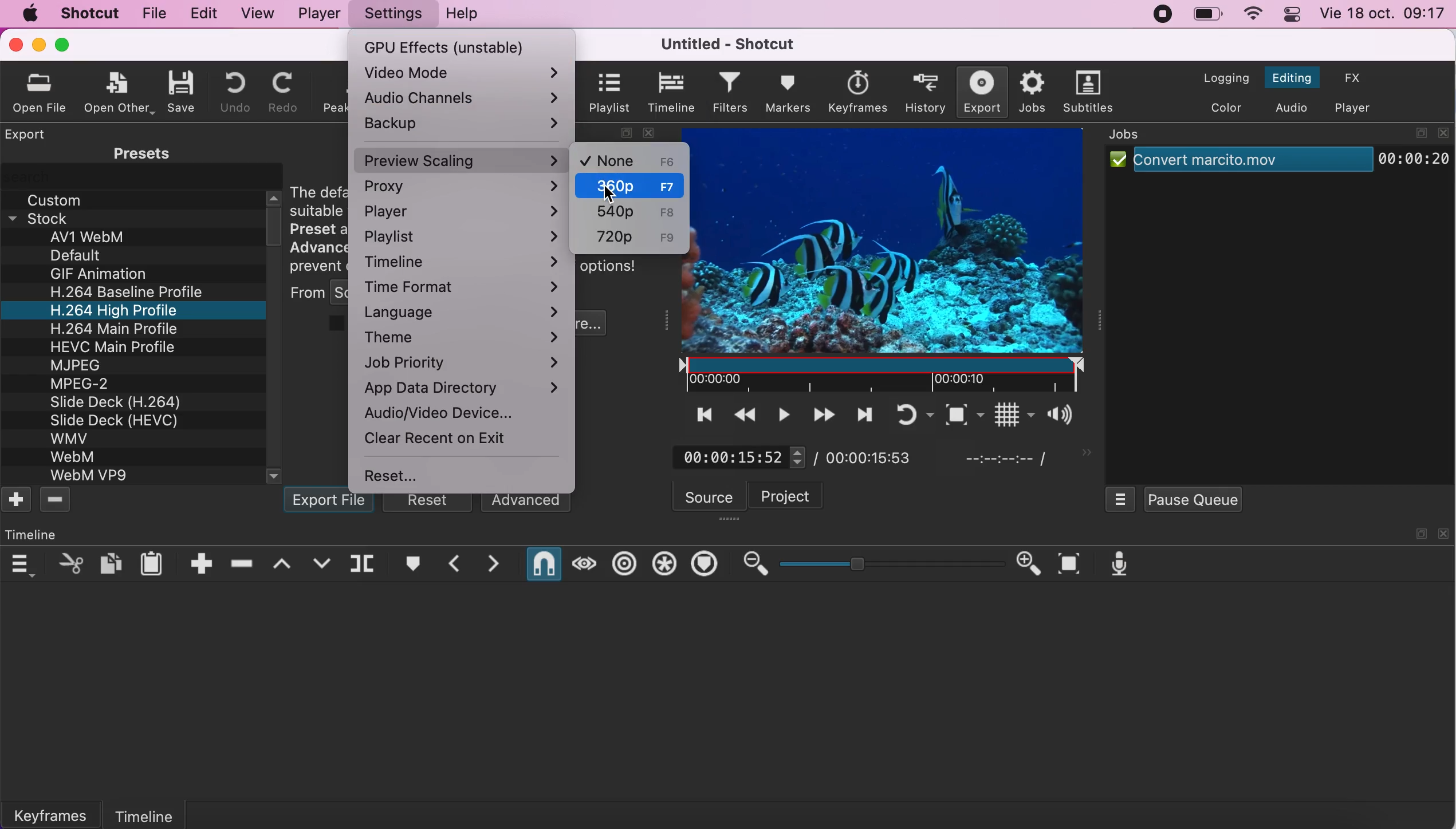 The height and width of the screenshot is (829, 1456). I want to click on H.264 Baseline Profile, so click(132, 292).